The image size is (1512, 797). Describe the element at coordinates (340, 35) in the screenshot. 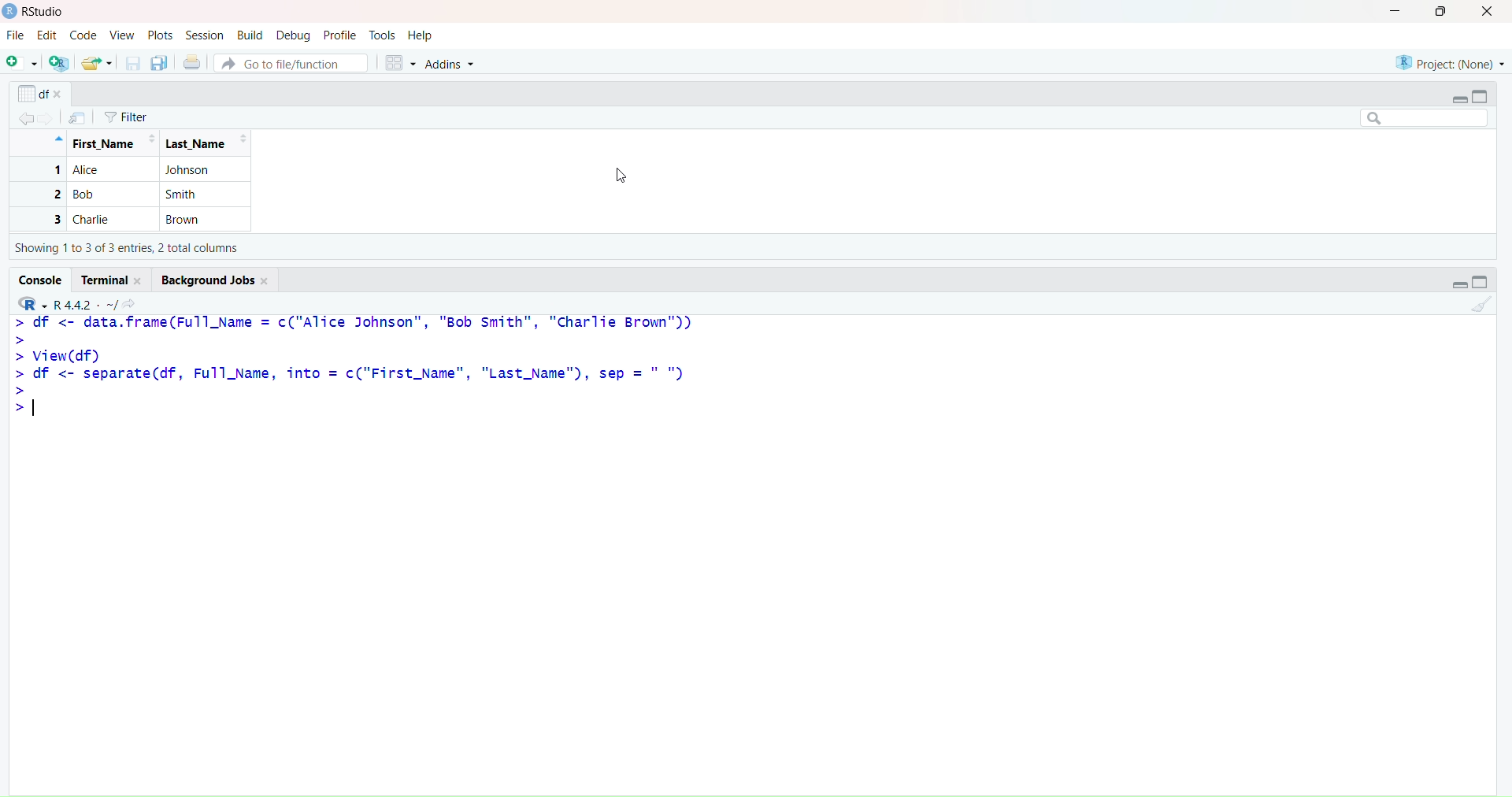

I see `Profile` at that location.